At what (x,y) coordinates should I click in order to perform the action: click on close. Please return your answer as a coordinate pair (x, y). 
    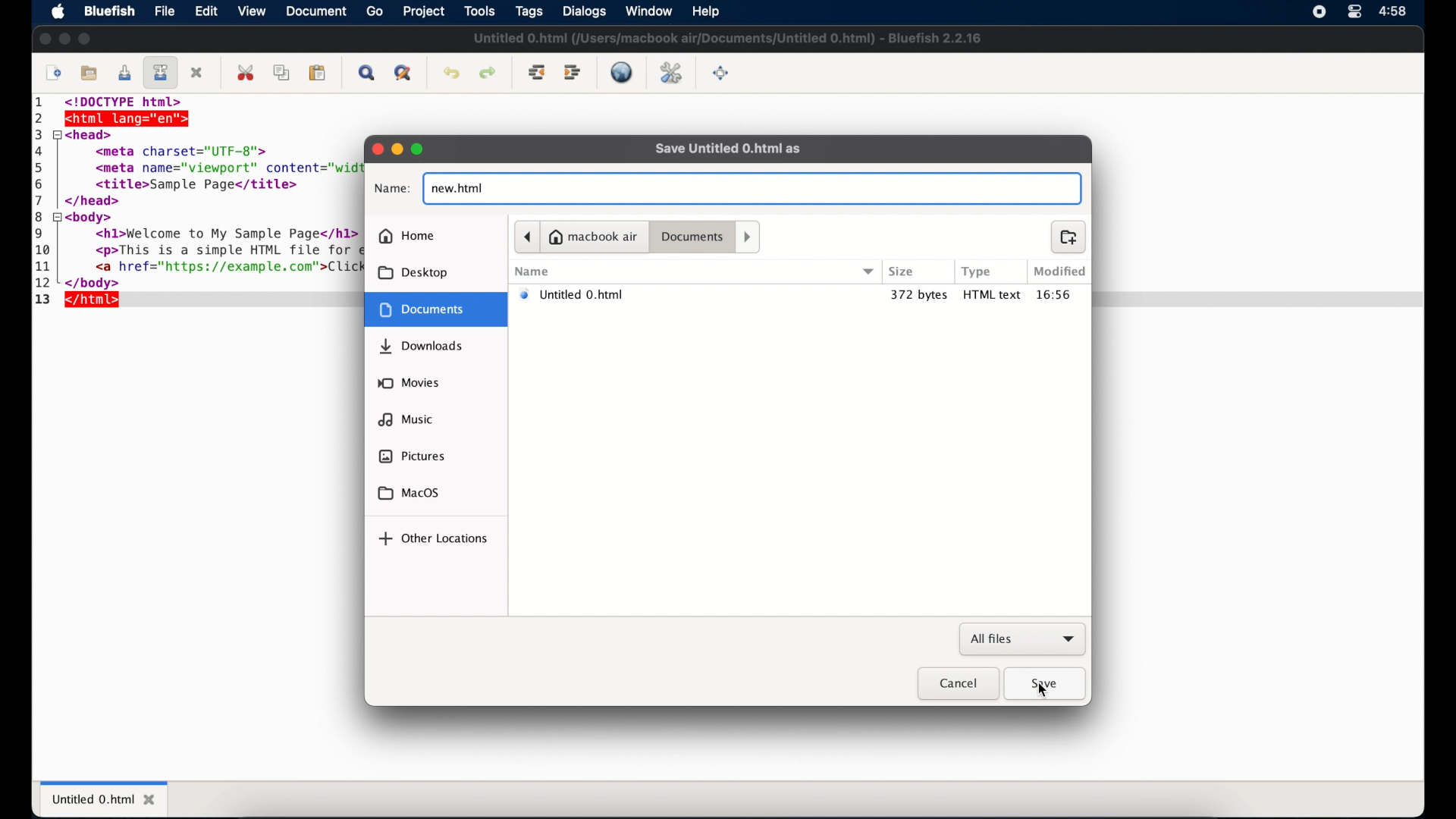
    Looking at the image, I should click on (44, 39).